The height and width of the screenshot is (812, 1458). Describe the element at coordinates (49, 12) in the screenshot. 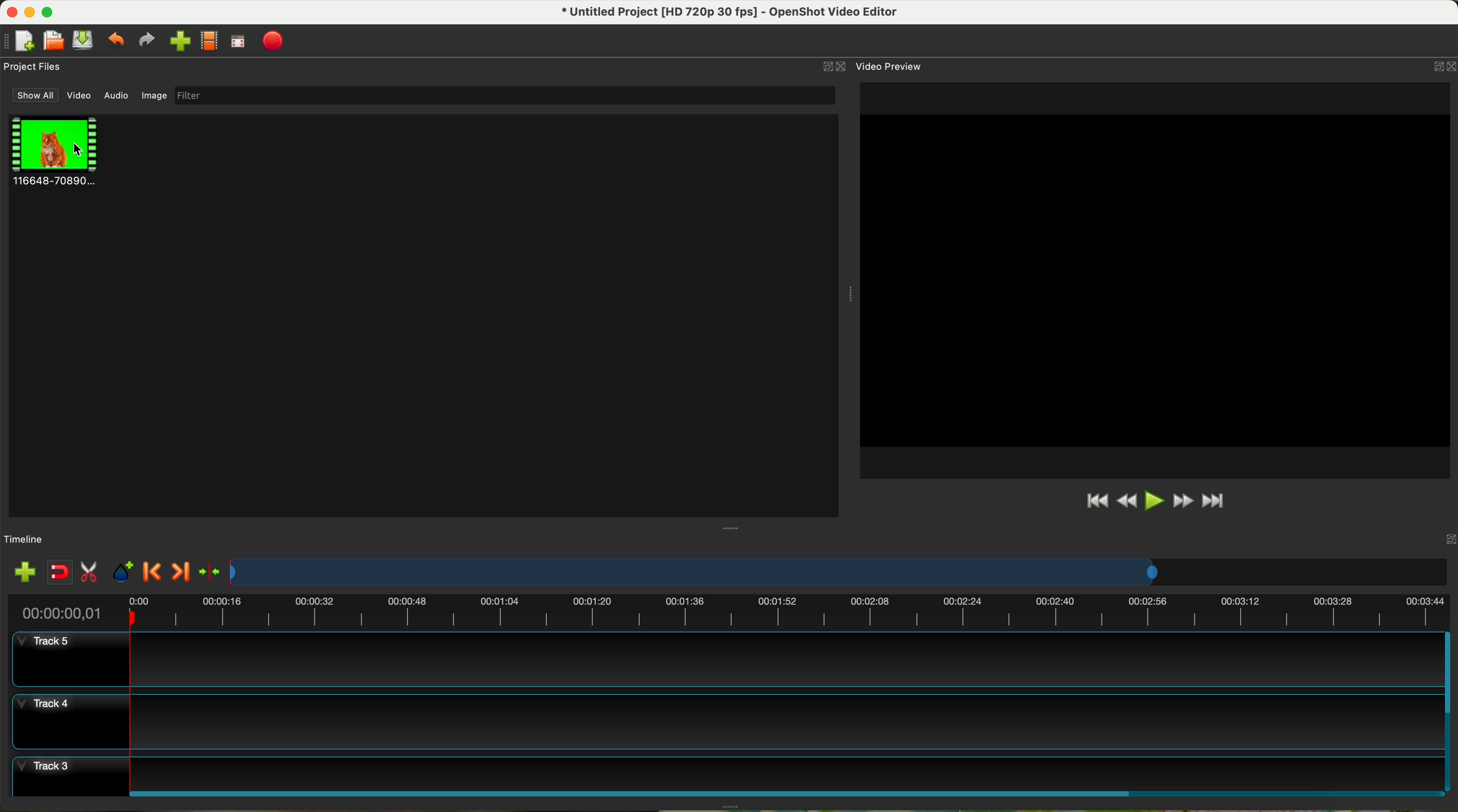

I see `maximize program` at that location.